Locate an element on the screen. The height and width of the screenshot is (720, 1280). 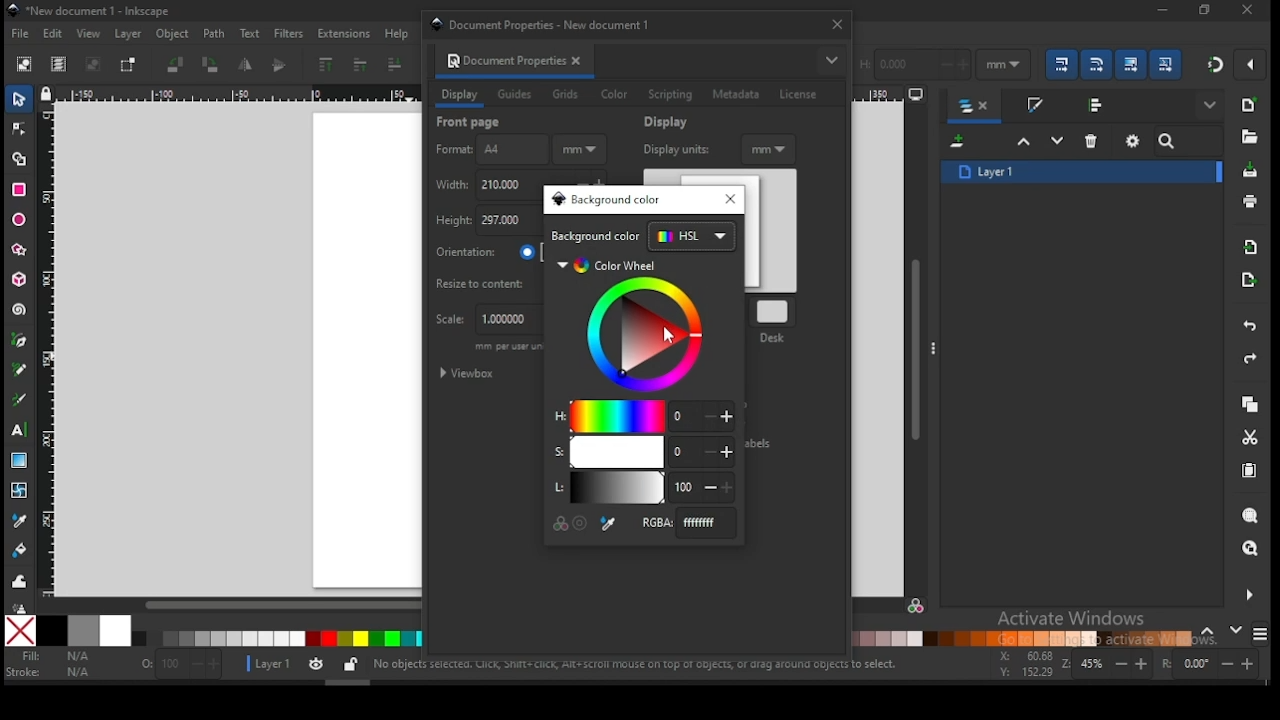
document properties is located at coordinates (503, 60).